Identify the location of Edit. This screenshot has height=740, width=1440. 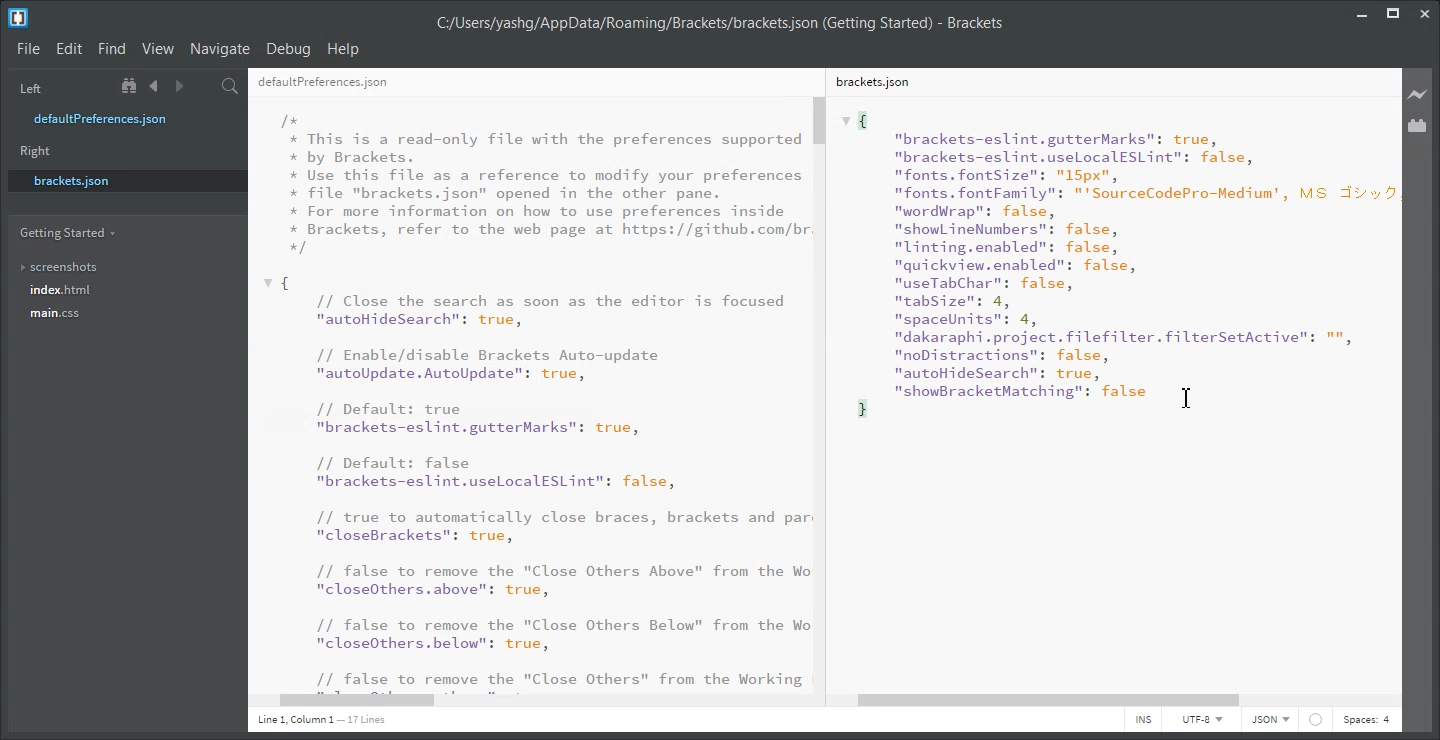
(69, 49).